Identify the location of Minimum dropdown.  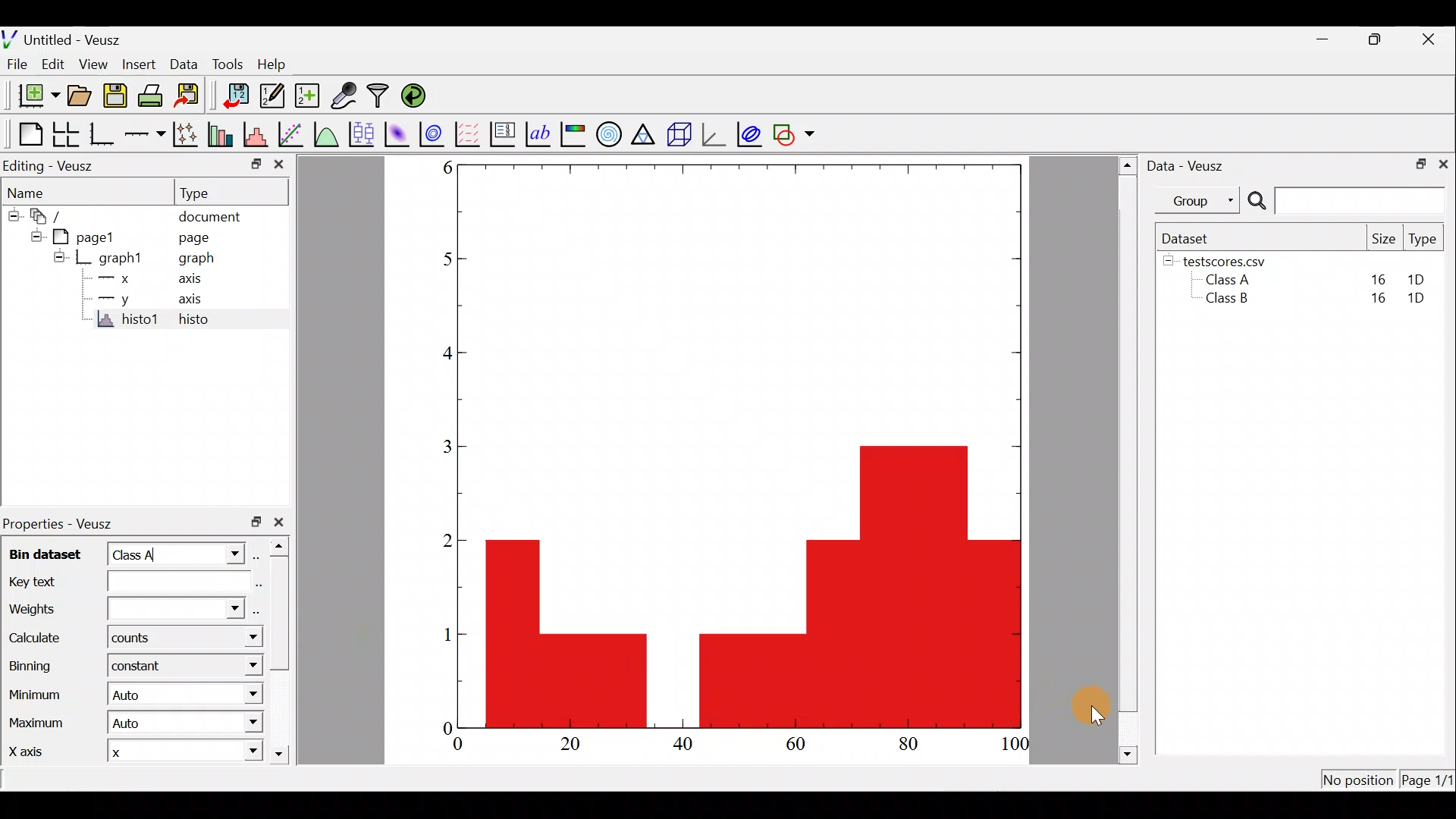
(242, 694).